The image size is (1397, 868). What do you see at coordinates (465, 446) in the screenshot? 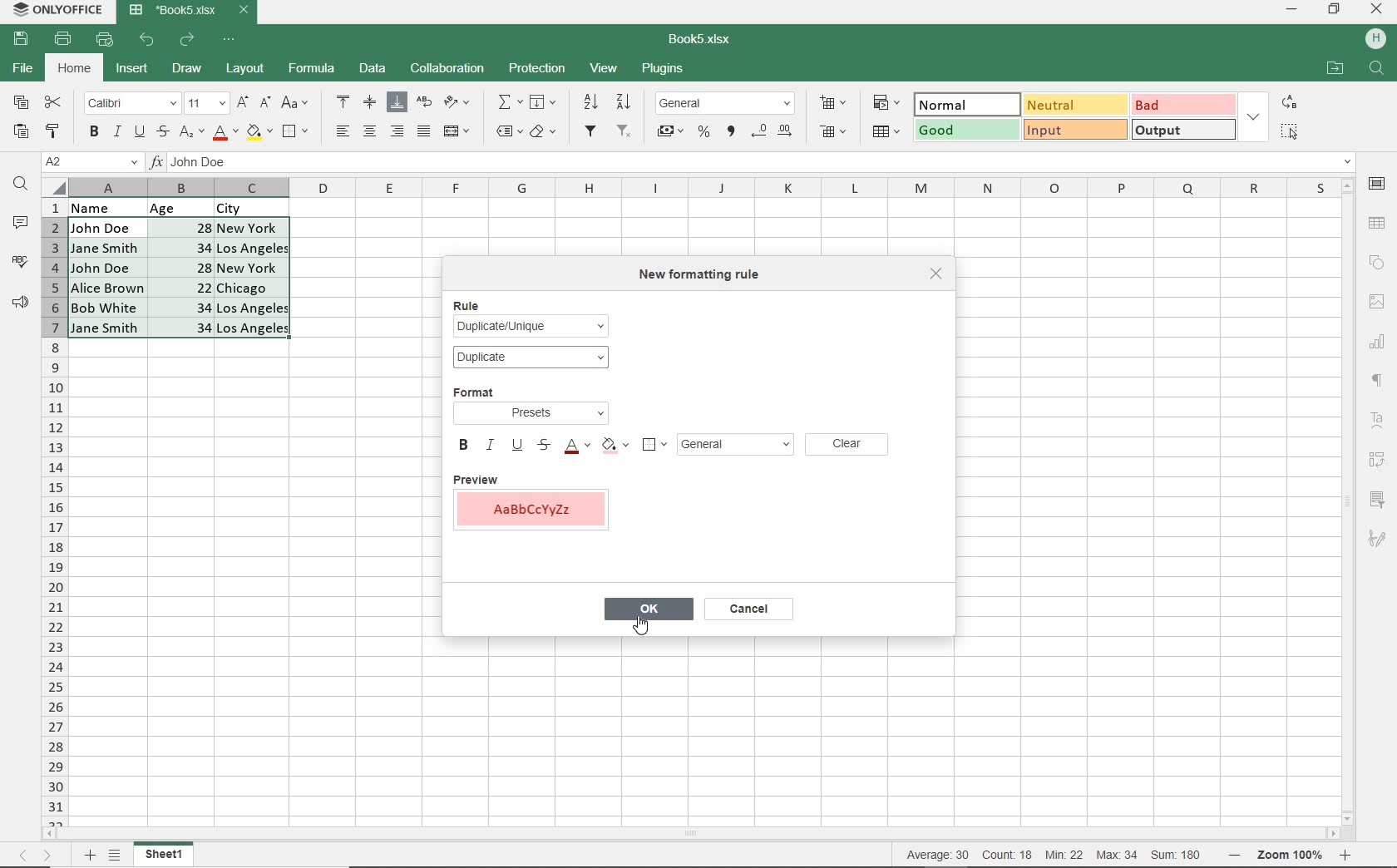
I see `BOLD` at bounding box center [465, 446].